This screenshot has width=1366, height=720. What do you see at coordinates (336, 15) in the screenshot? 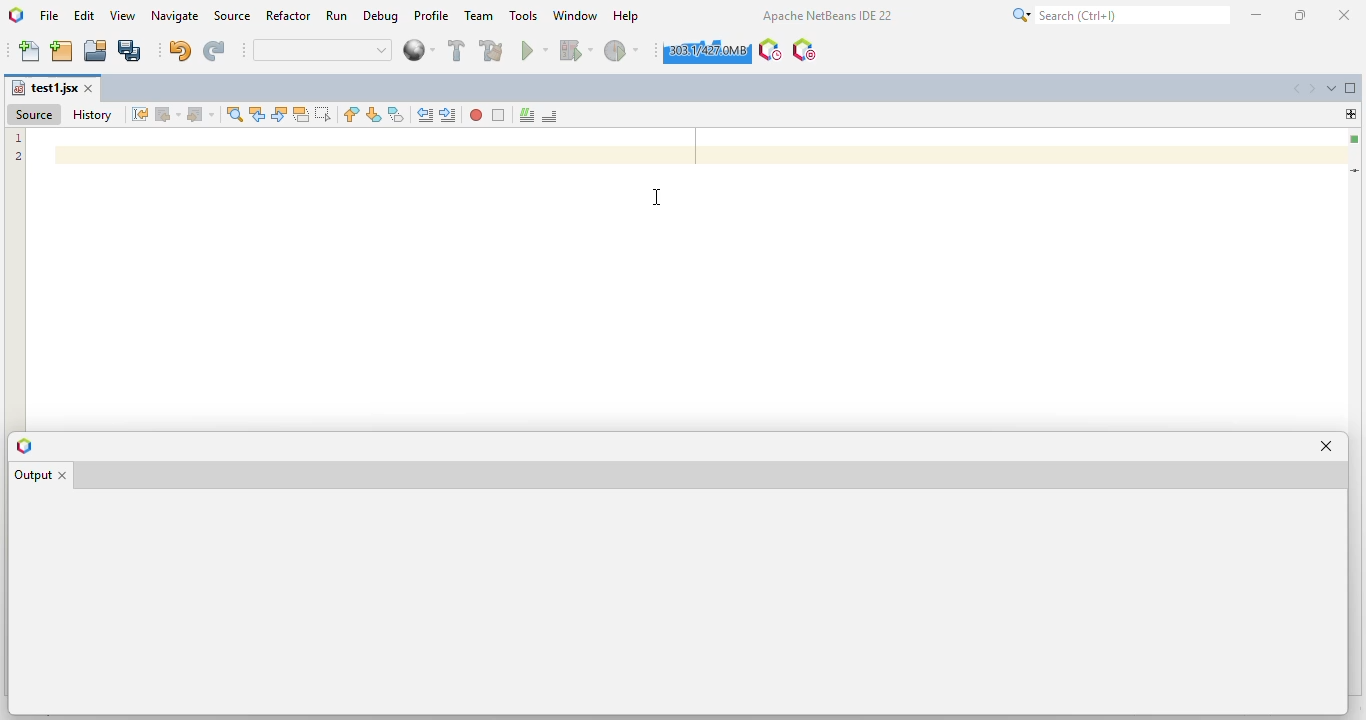
I see `run` at bounding box center [336, 15].